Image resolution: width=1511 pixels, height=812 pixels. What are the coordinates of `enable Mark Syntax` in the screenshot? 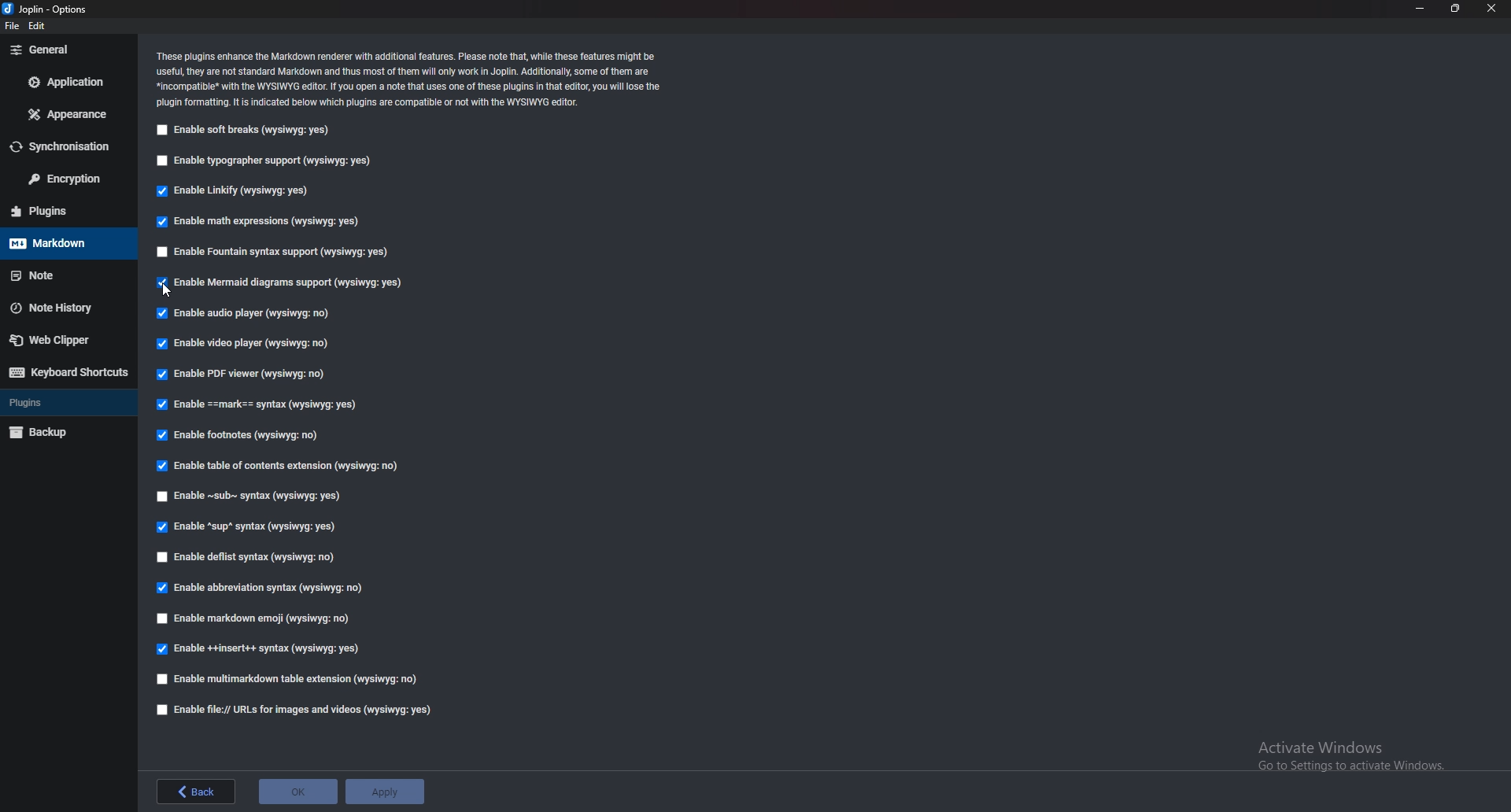 It's located at (263, 404).